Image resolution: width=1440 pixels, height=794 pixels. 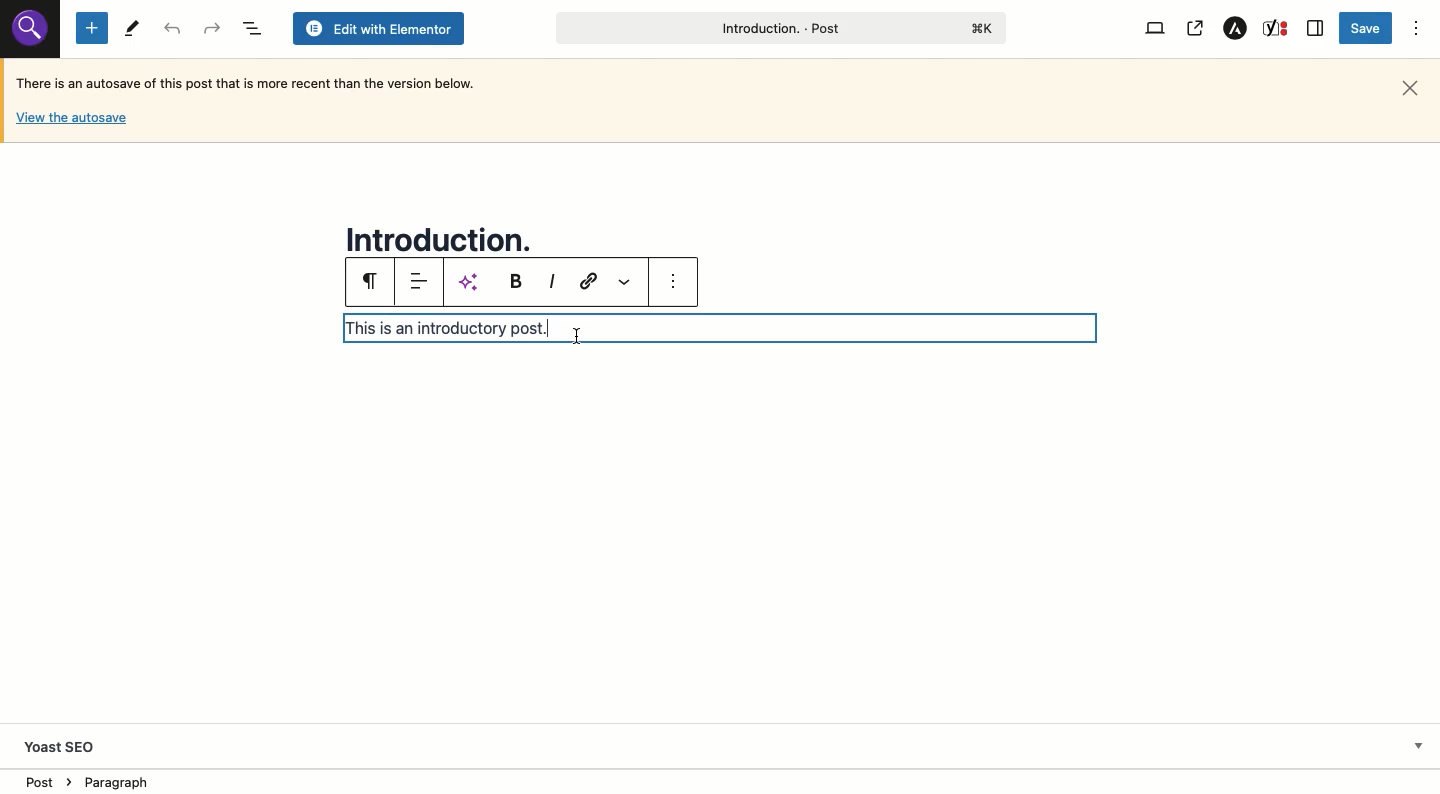 What do you see at coordinates (378, 29) in the screenshot?
I see `Edit with elementor` at bounding box center [378, 29].